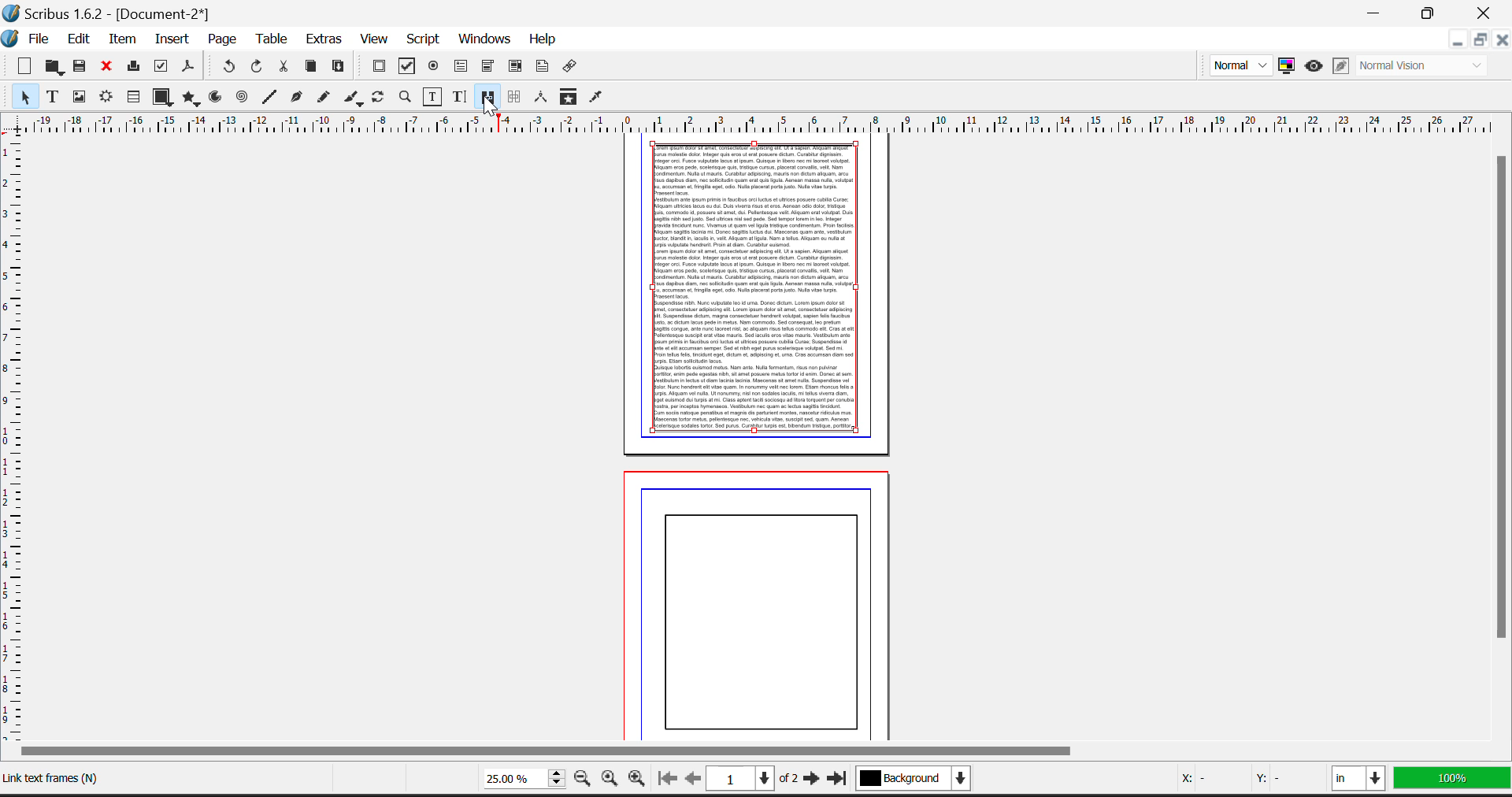 This screenshot has height=797, width=1512. What do you see at coordinates (1361, 781) in the screenshot?
I see `Measurement Unit` at bounding box center [1361, 781].